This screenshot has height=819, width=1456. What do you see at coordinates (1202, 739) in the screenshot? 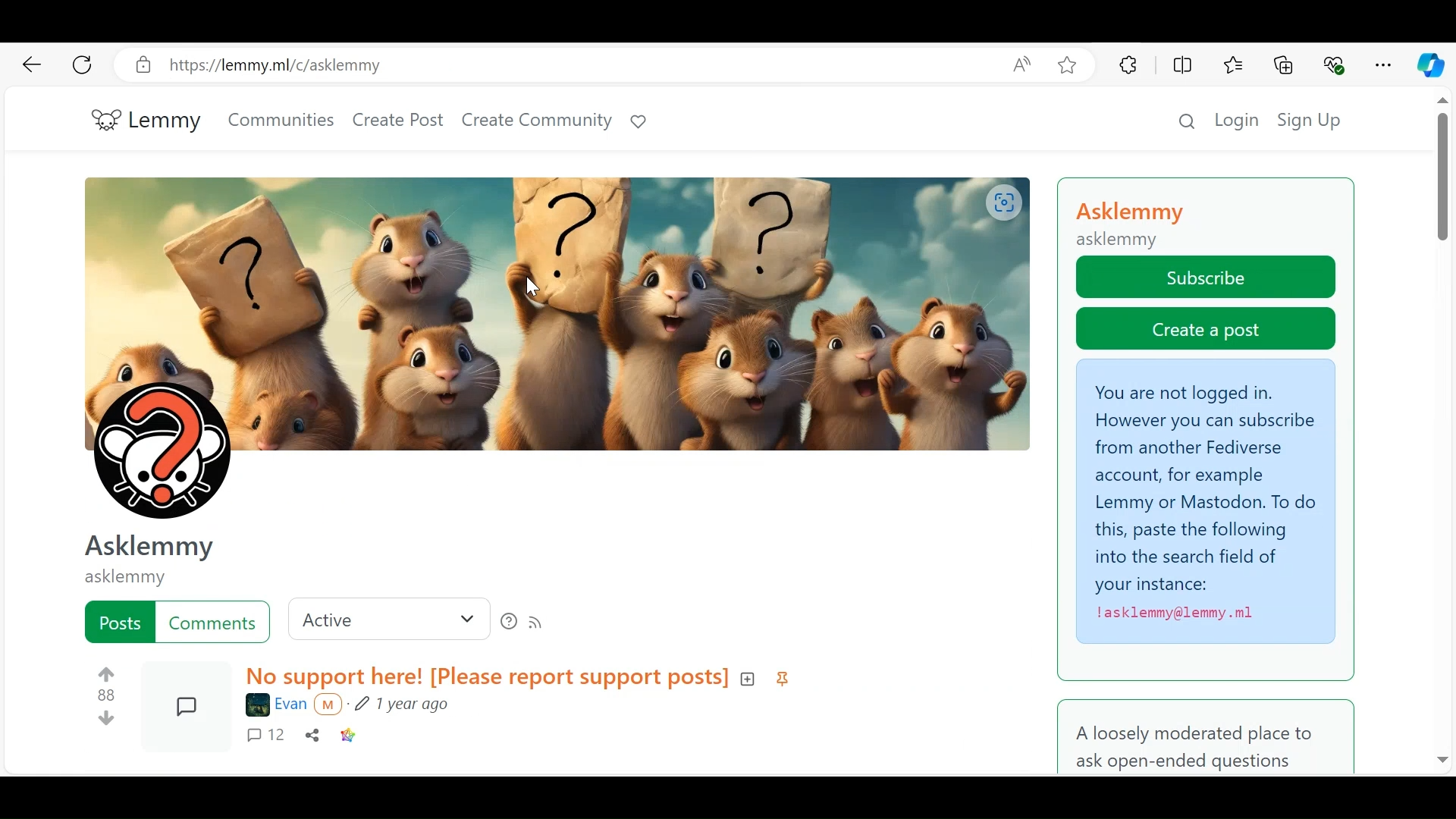
I see `` at bounding box center [1202, 739].